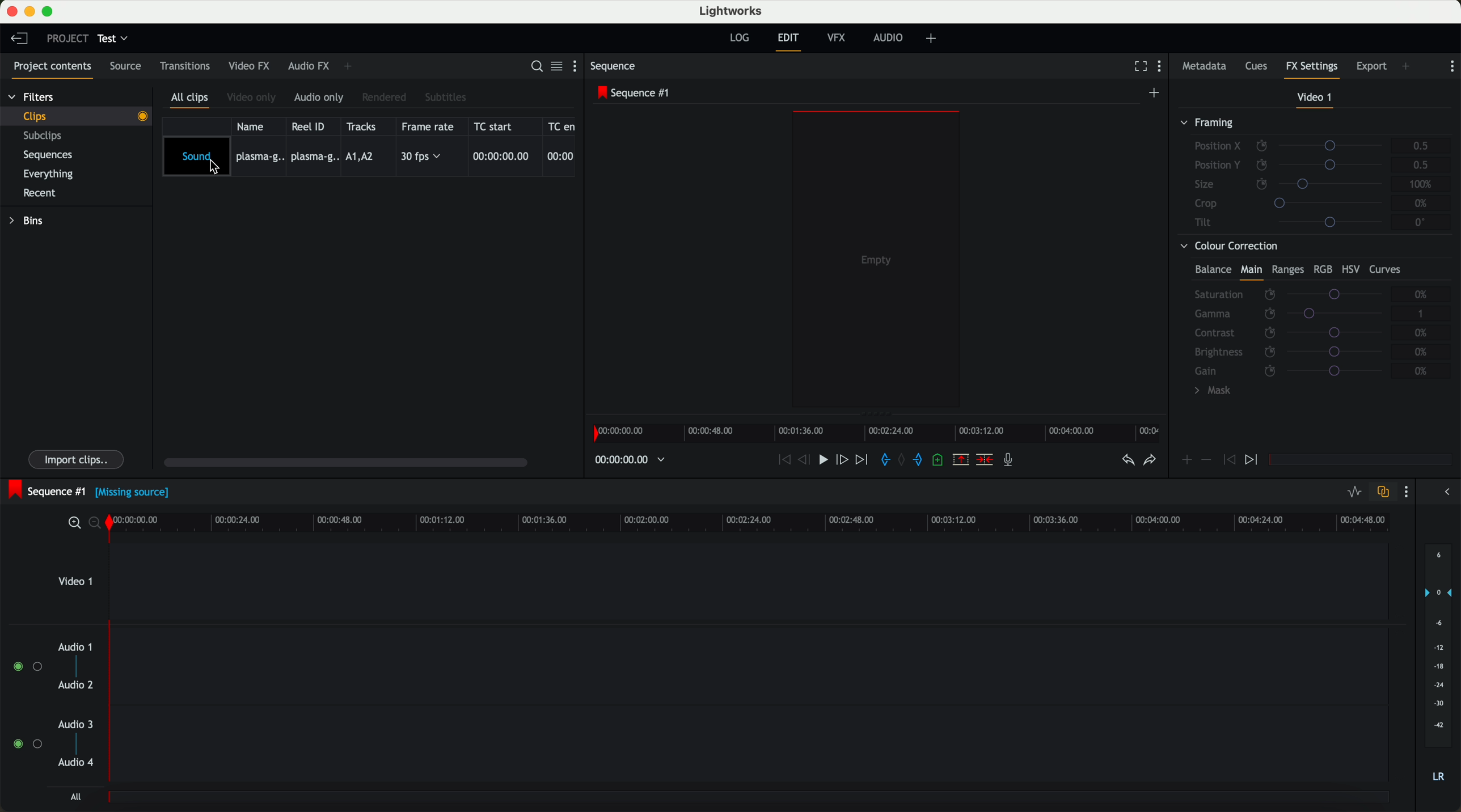 The height and width of the screenshot is (812, 1461). I want to click on nudge one frame foward, so click(844, 459).